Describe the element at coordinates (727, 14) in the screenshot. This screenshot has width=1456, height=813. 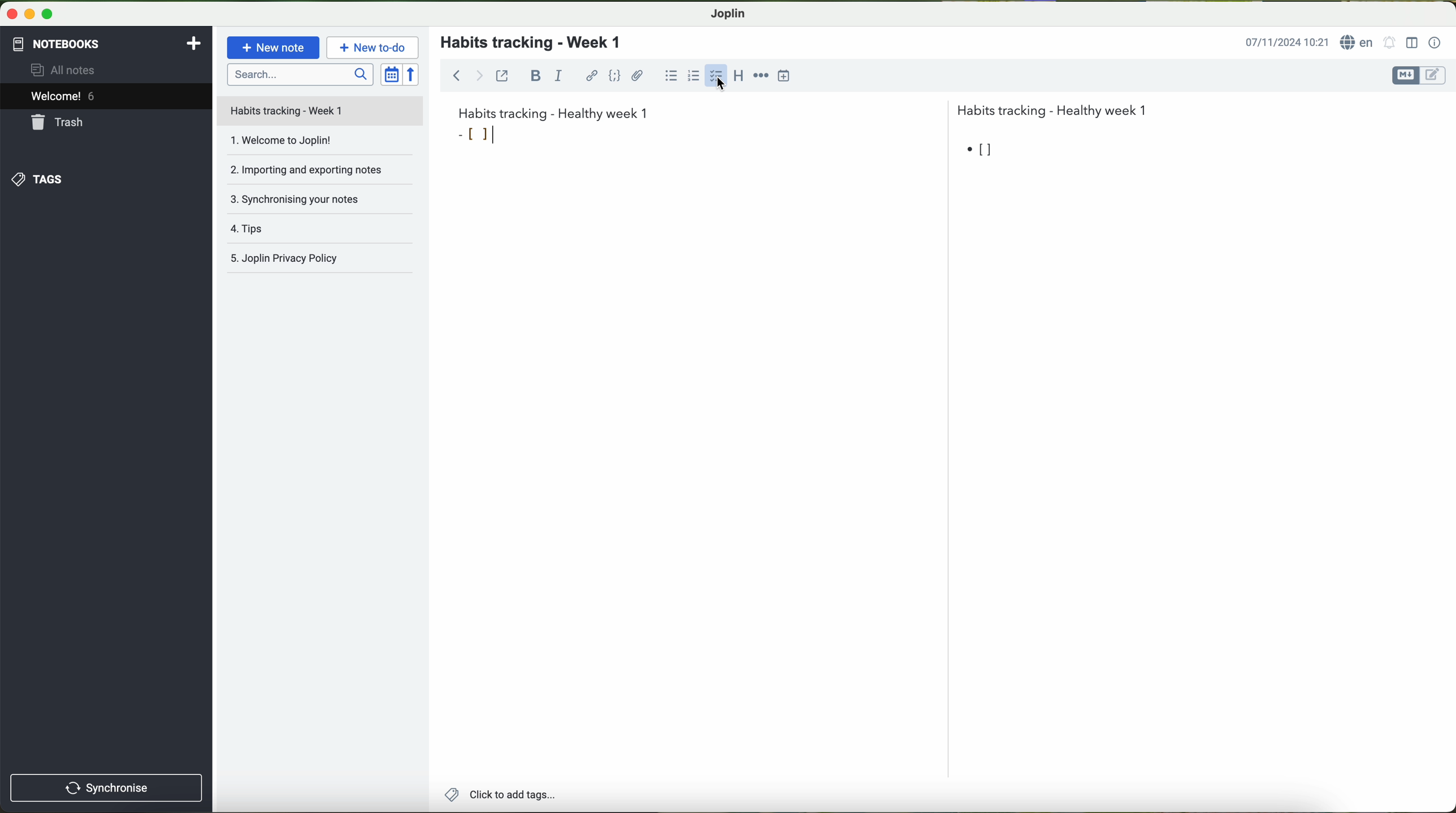
I see `Joplin` at that location.